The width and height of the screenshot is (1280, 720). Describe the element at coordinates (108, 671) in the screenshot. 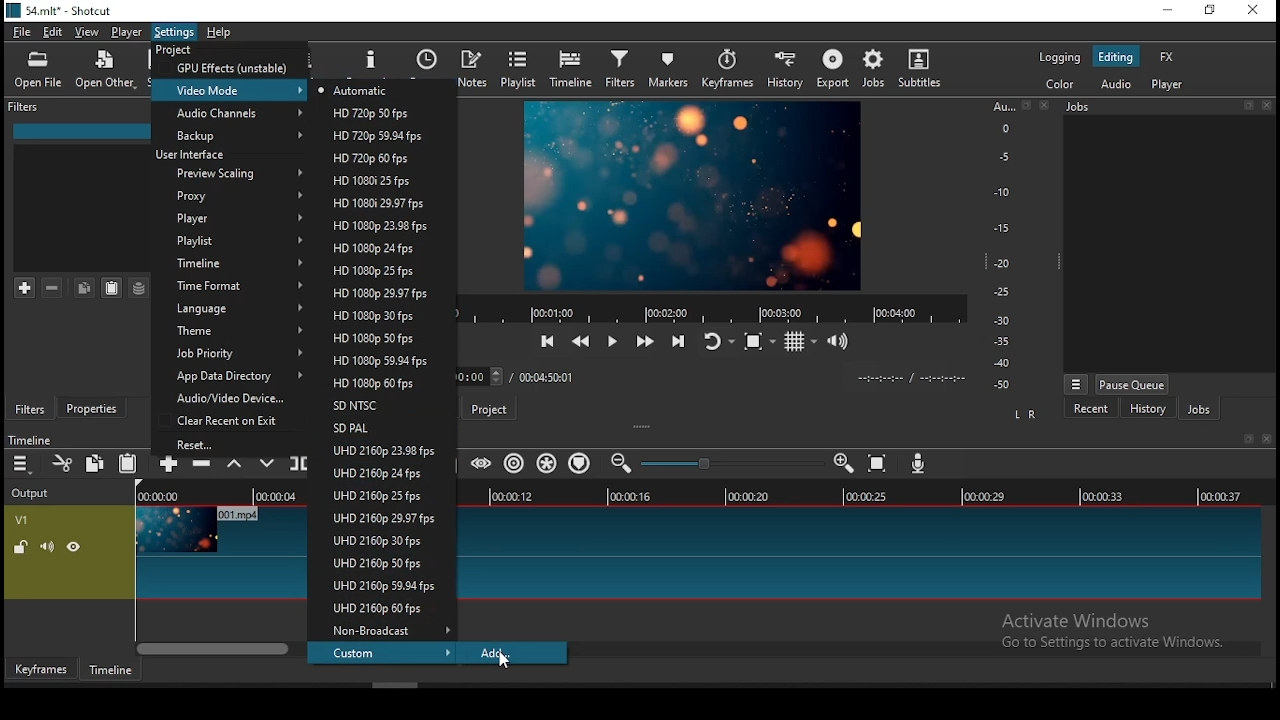

I see `timeline` at that location.